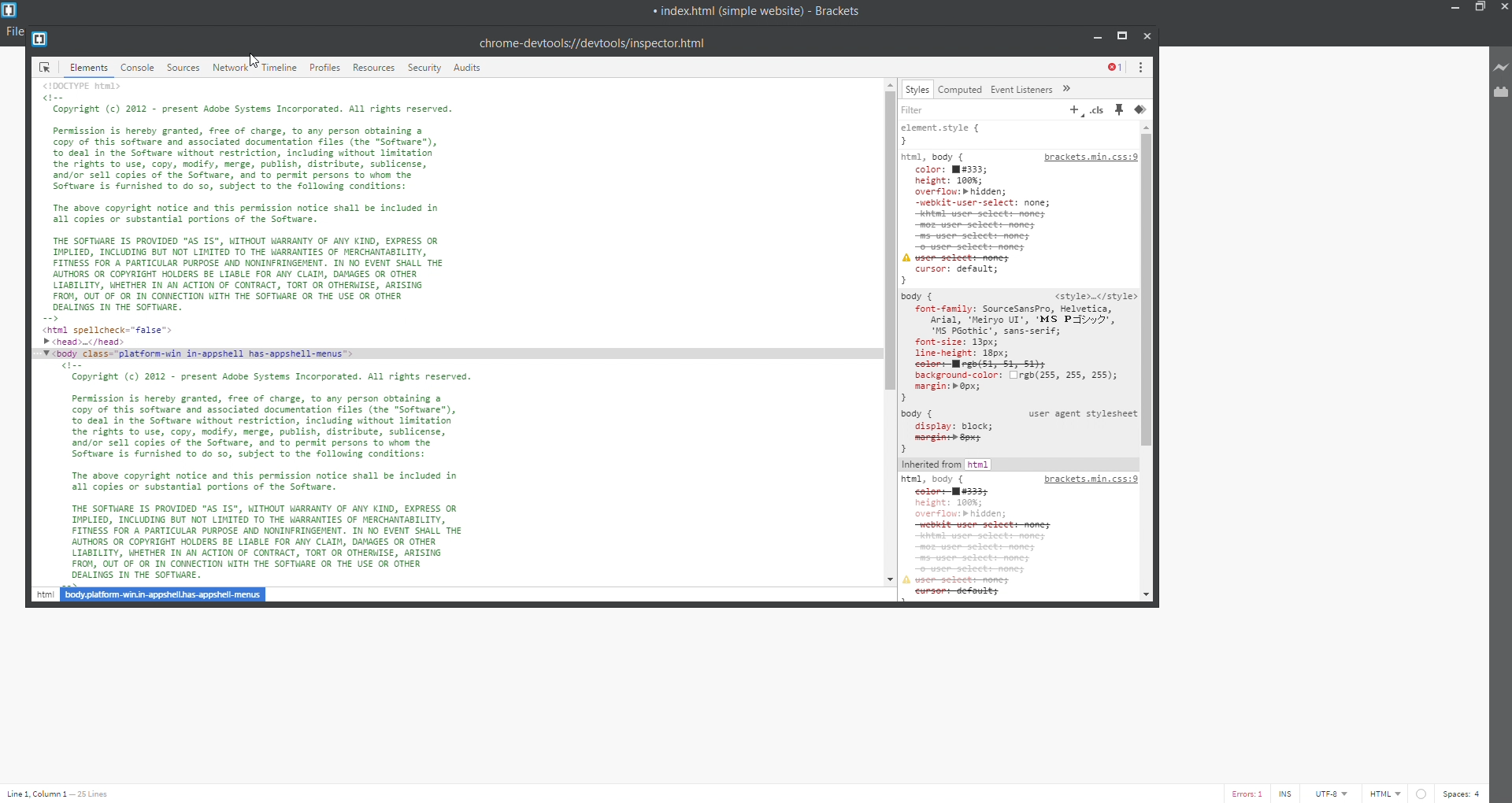 This screenshot has width=1512, height=803. Describe the element at coordinates (960, 88) in the screenshot. I see `computed` at that location.